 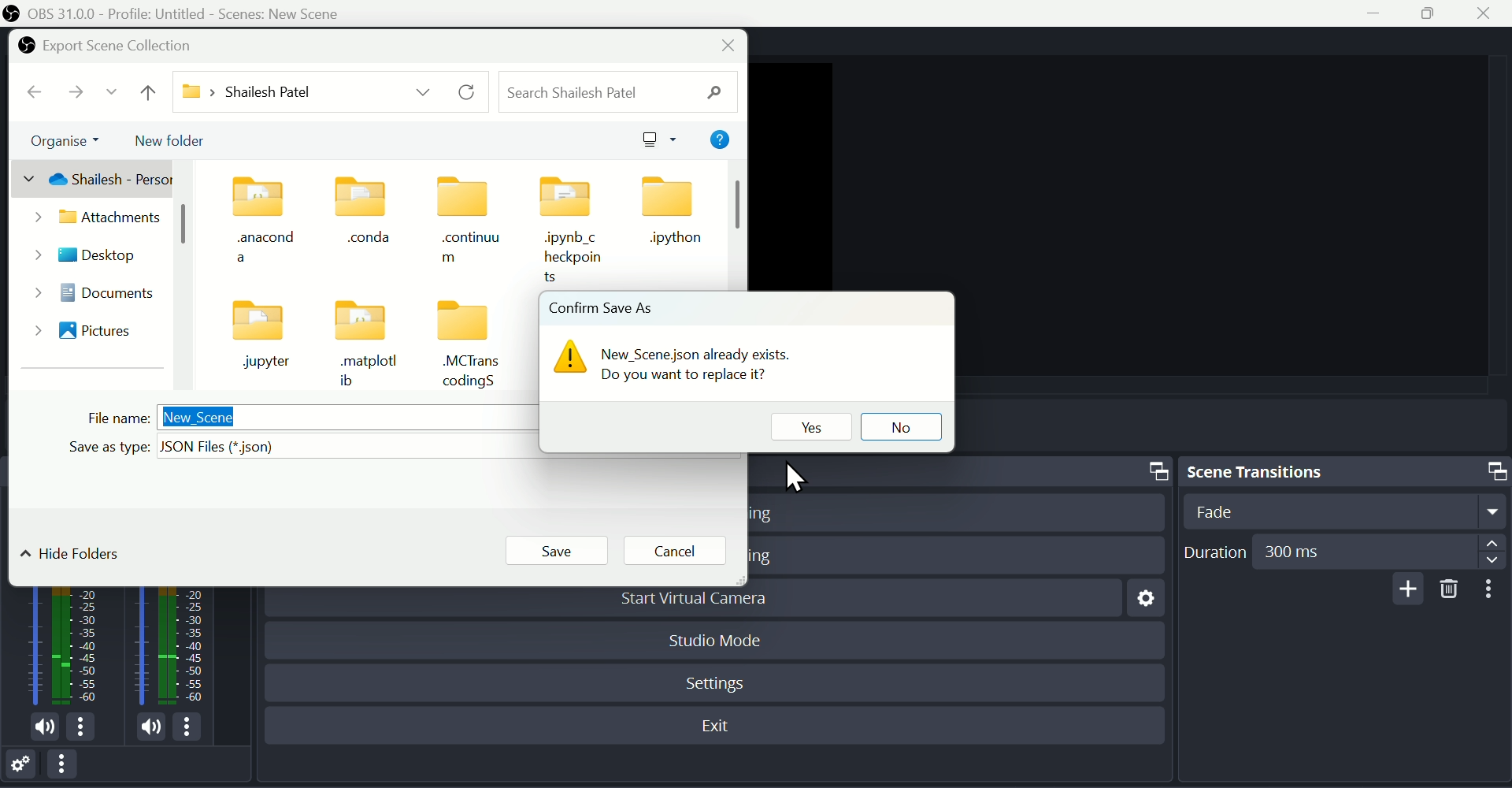 I want to click on Scene transition, so click(x=1343, y=470).